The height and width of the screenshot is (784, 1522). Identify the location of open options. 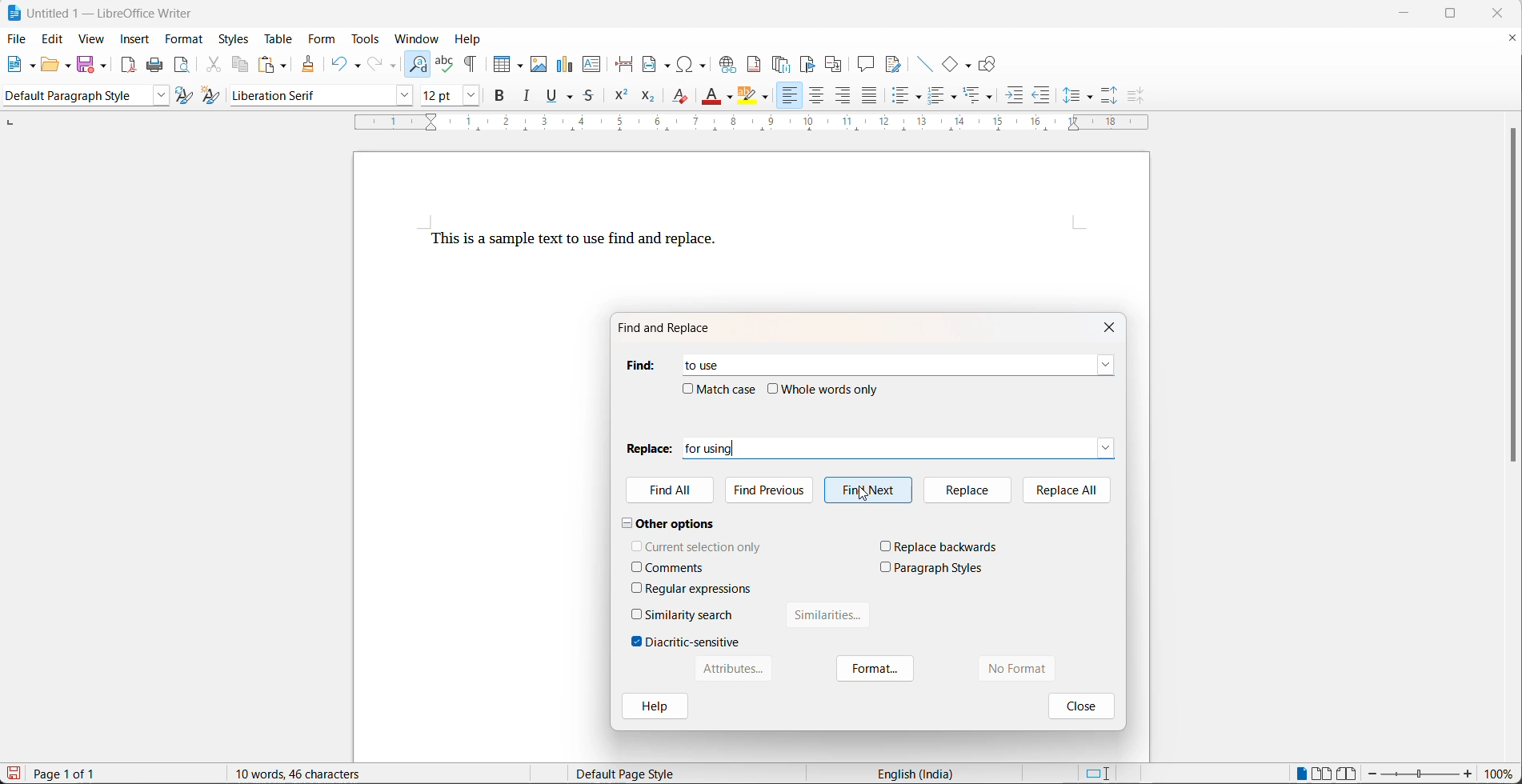
(69, 64).